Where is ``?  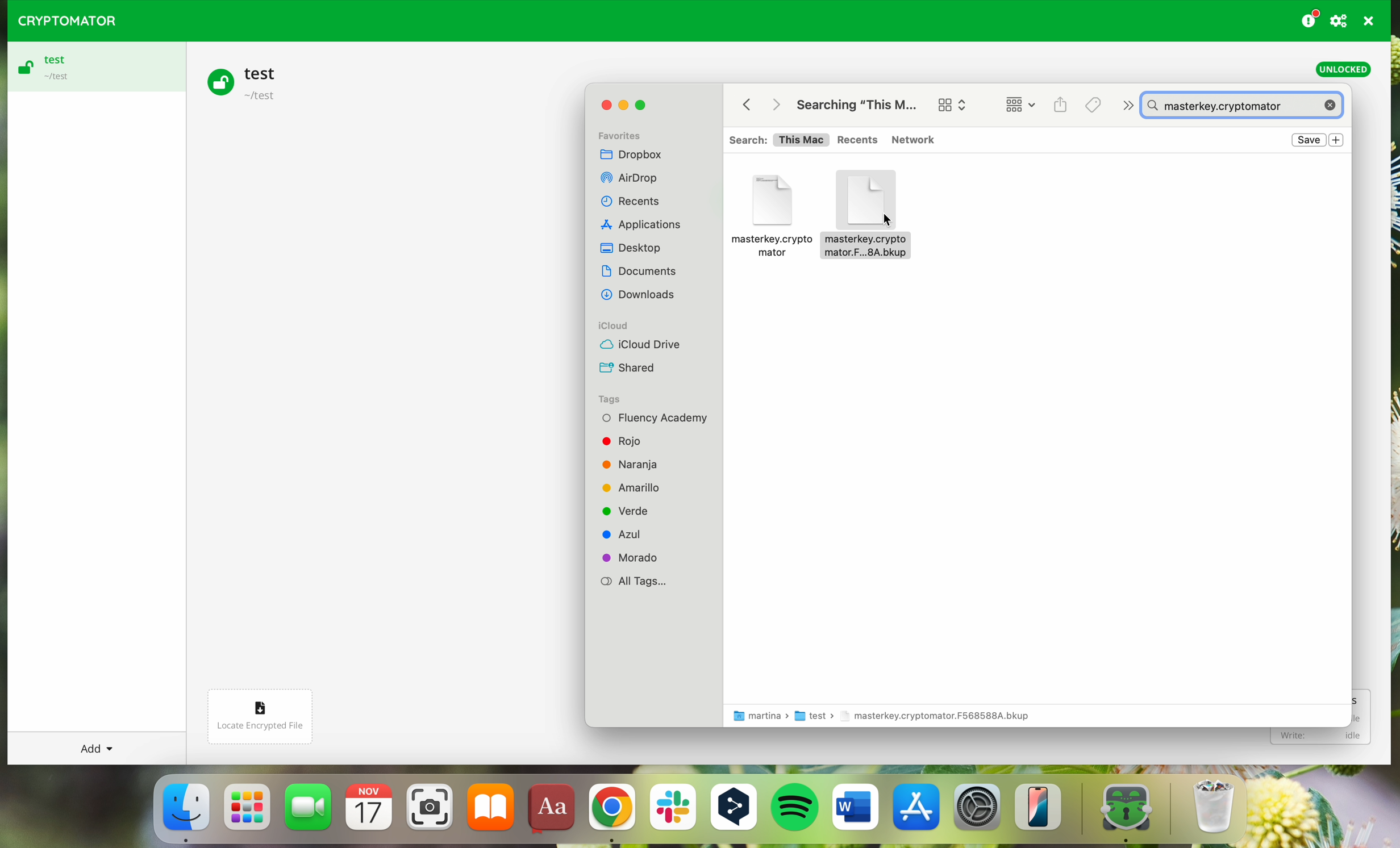  is located at coordinates (643, 296).